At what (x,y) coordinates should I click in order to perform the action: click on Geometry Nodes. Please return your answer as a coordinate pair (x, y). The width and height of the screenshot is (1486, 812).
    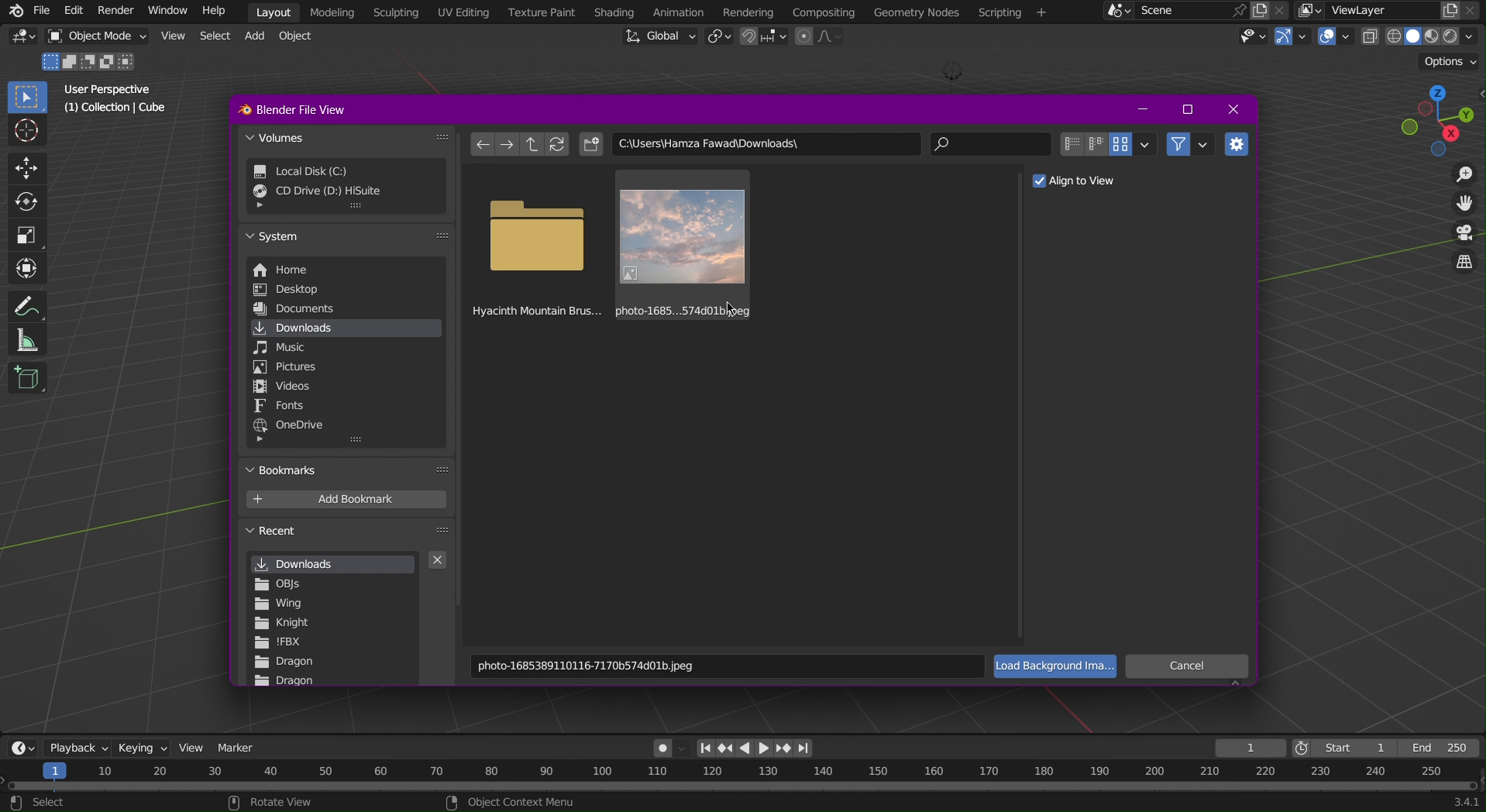
    Looking at the image, I should click on (915, 13).